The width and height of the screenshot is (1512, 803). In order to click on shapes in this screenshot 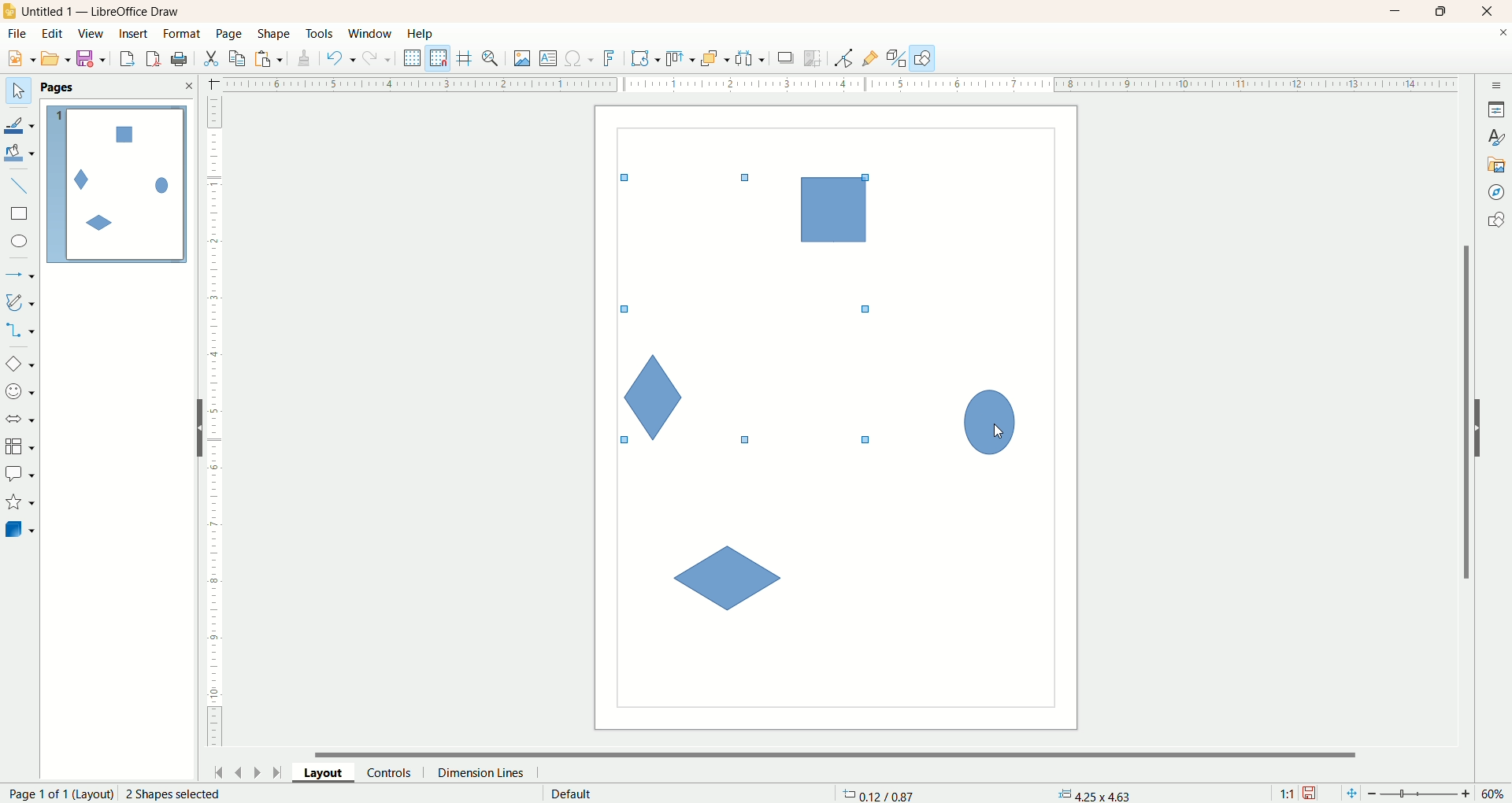, I will do `click(1495, 222)`.